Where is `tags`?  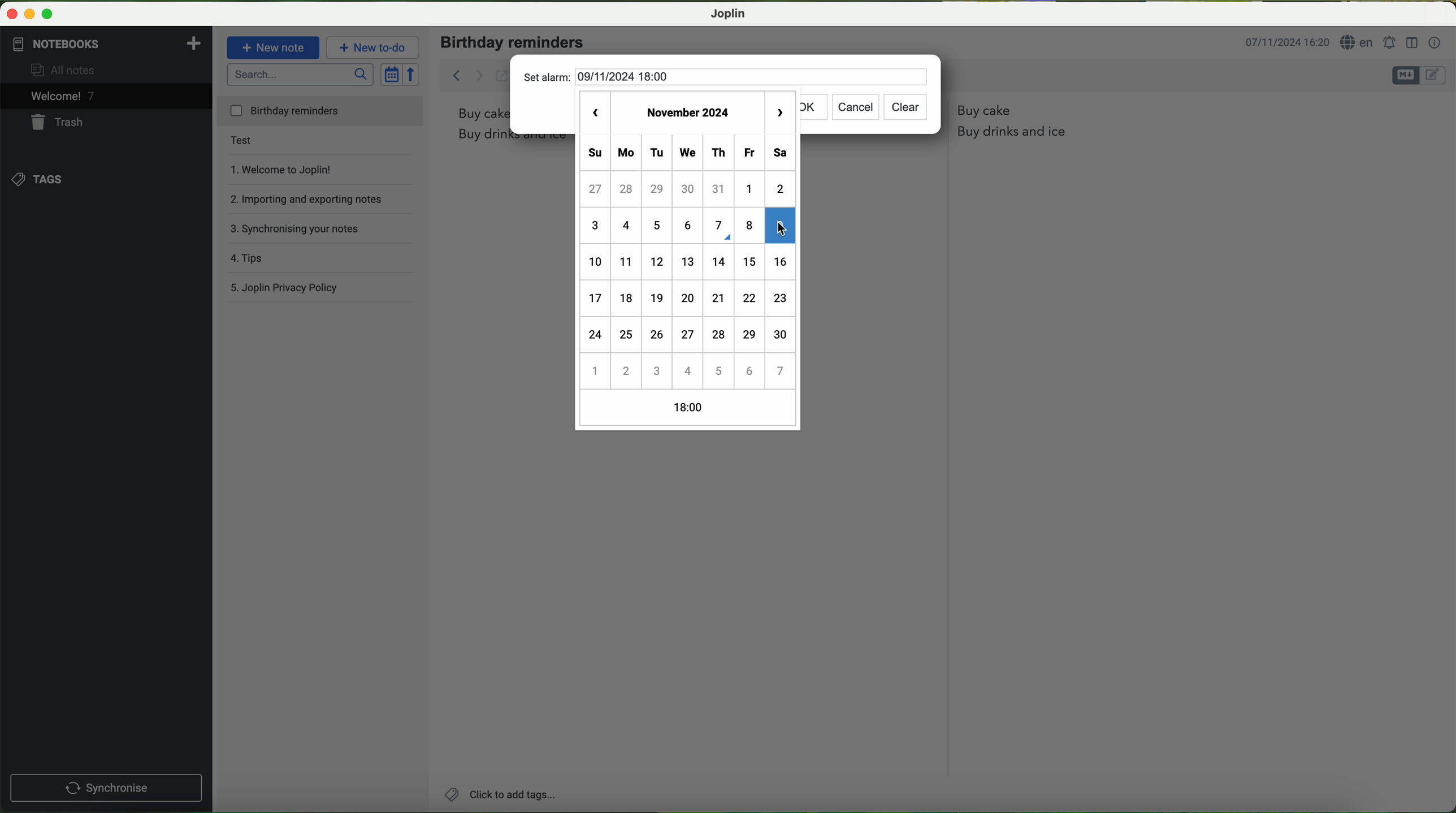
tags is located at coordinates (42, 178).